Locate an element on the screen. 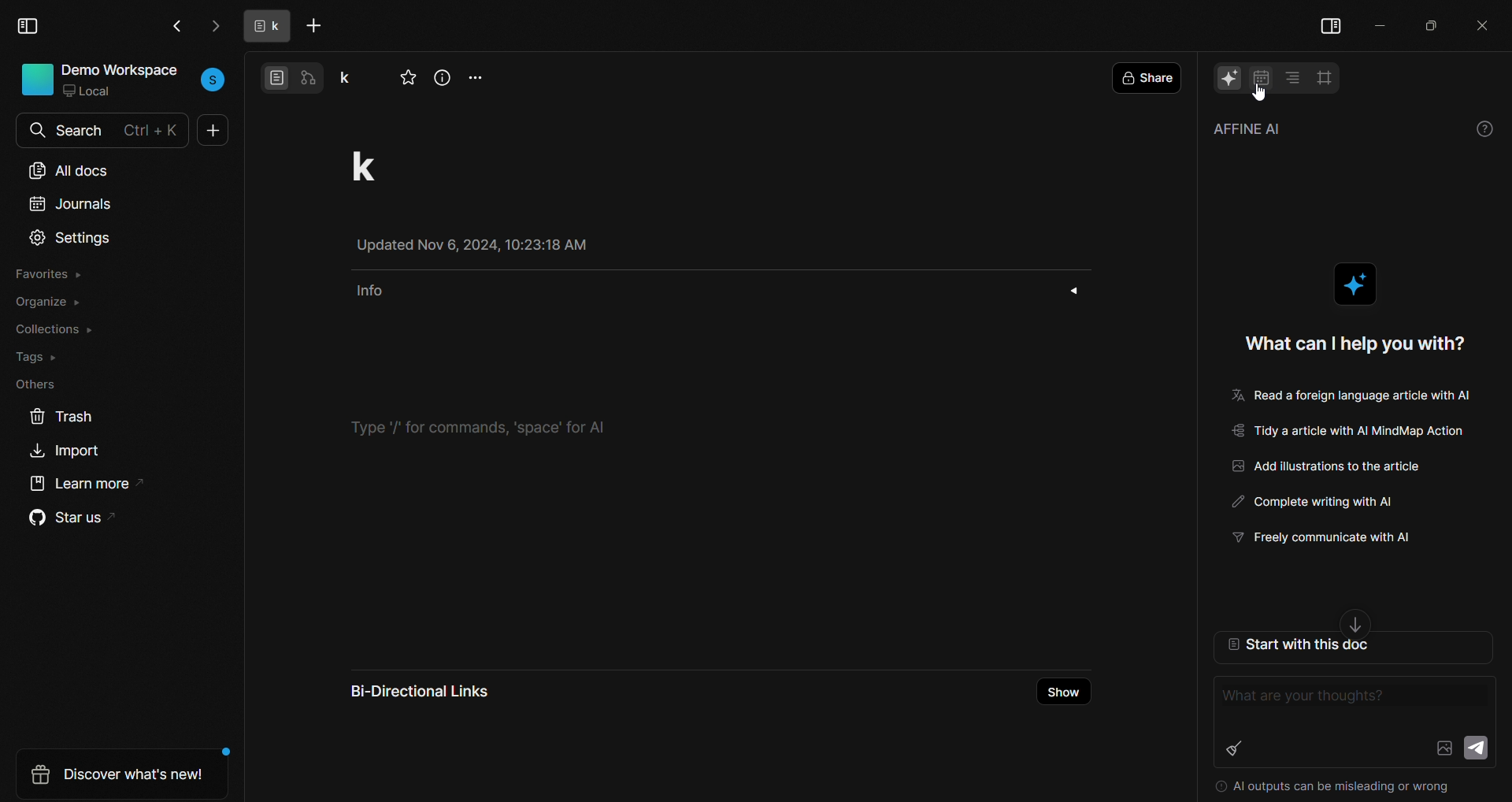 The height and width of the screenshot is (802, 1512). search is located at coordinates (35, 131).